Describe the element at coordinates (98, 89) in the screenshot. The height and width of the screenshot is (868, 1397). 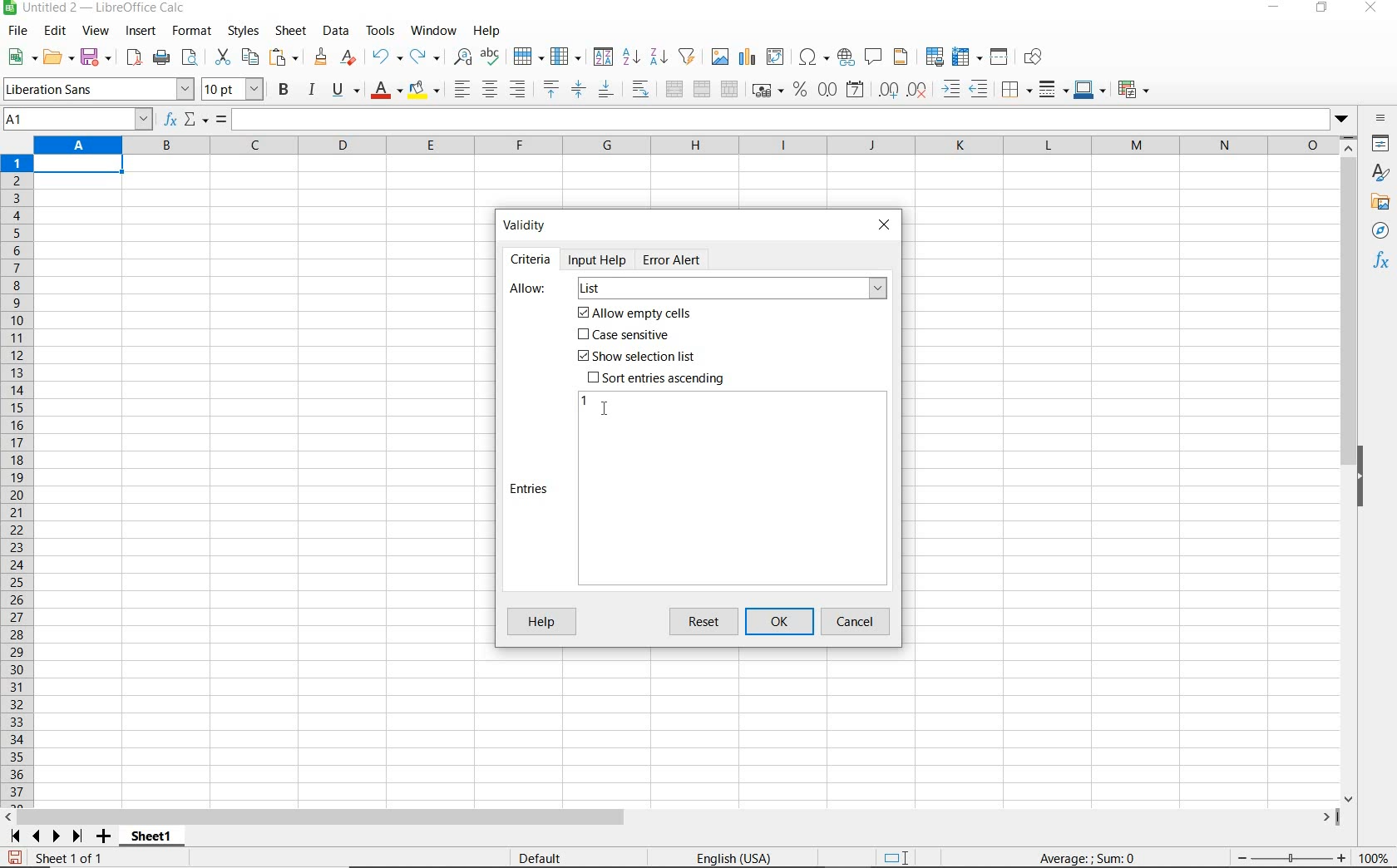
I see `font name` at that location.